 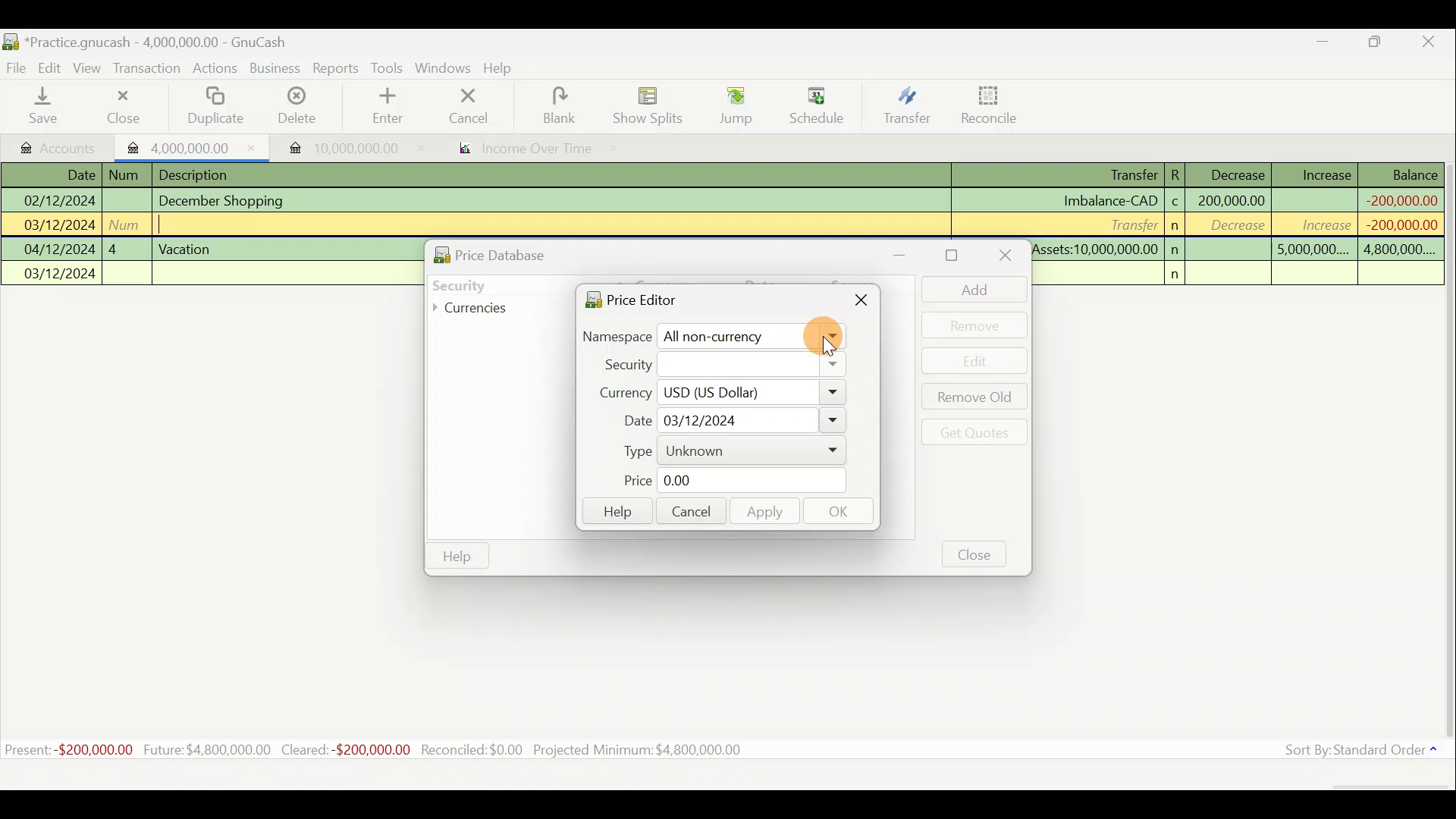 What do you see at coordinates (649, 105) in the screenshot?
I see `Show splits` at bounding box center [649, 105].